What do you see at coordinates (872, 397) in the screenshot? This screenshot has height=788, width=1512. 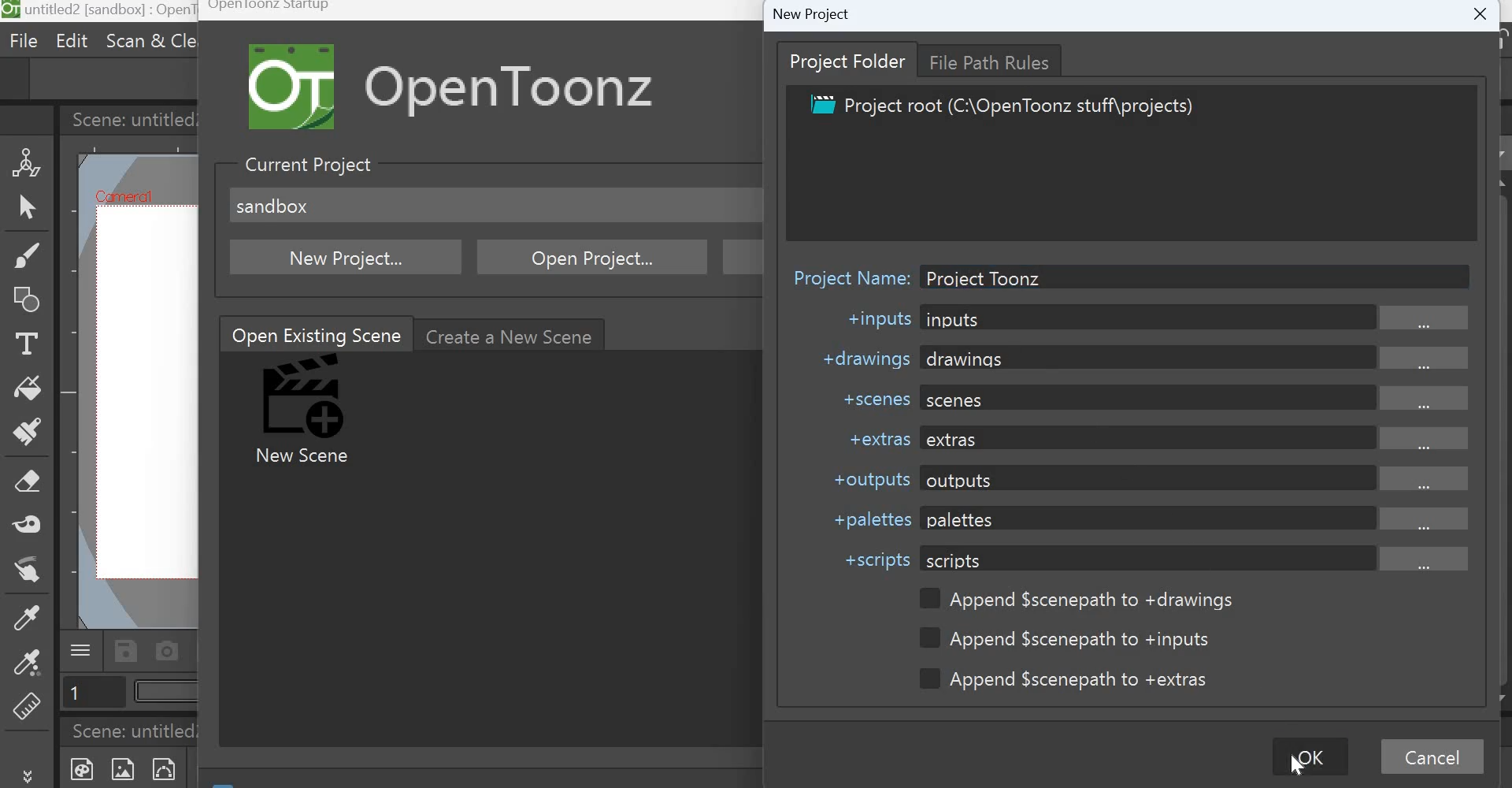 I see `+scenes` at bounding box center [872, 397].